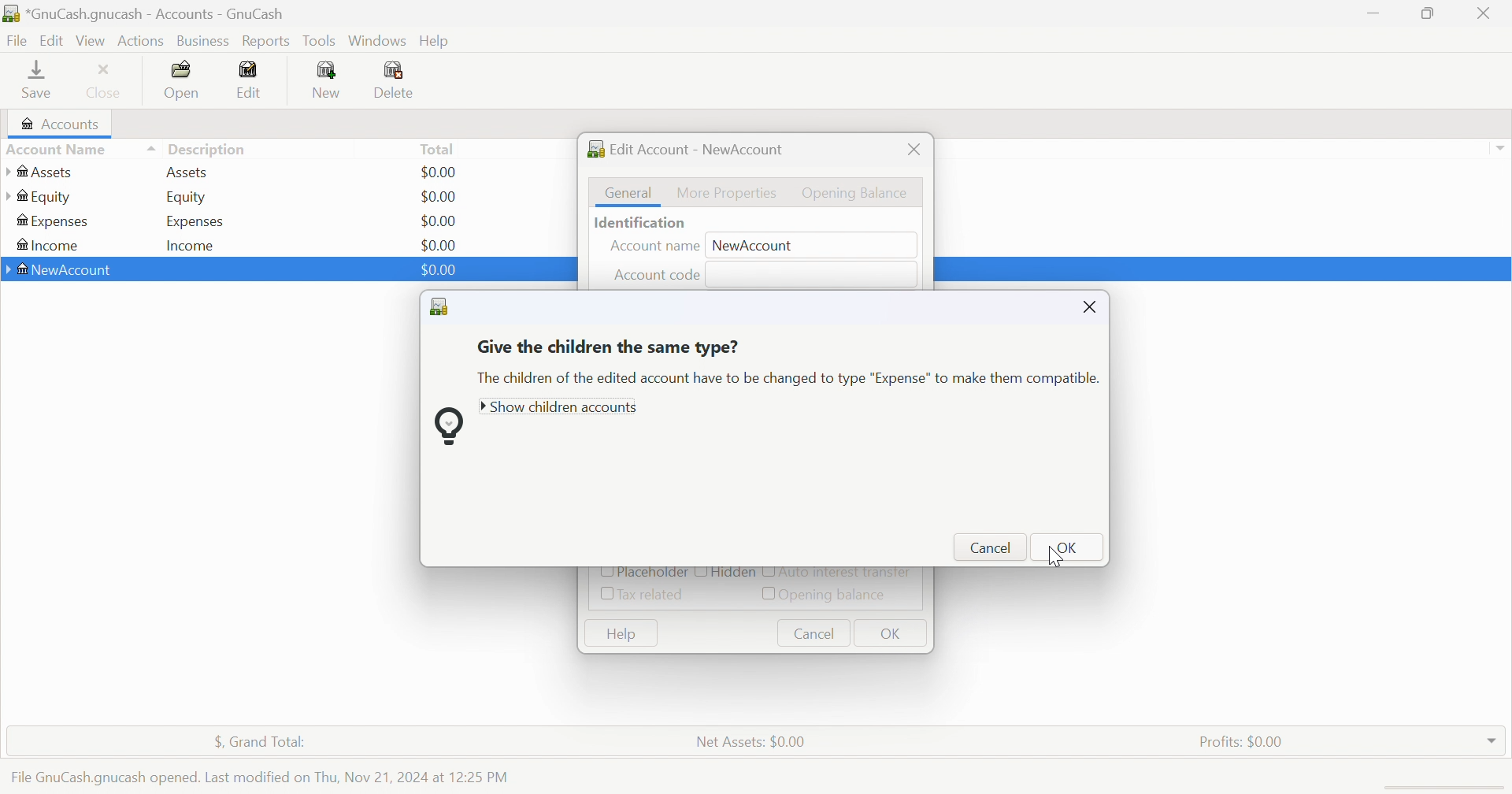 This screenshot has width=1512, height=794. I want to click on Show the children accounts, so click(561, 408).